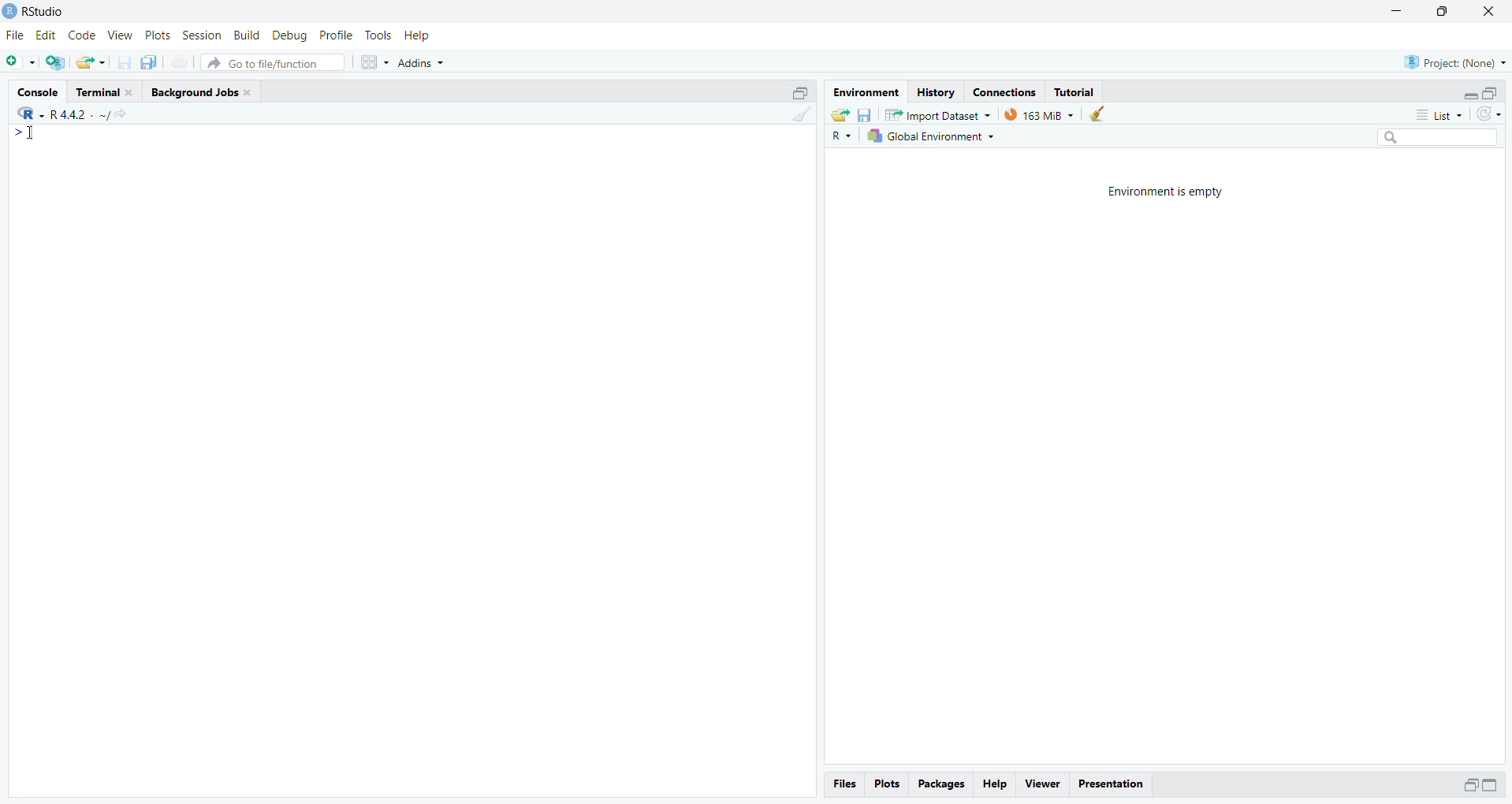  Describe the element at coordinates (1442, 12) in the screenshot. I see `maximise` at that location.